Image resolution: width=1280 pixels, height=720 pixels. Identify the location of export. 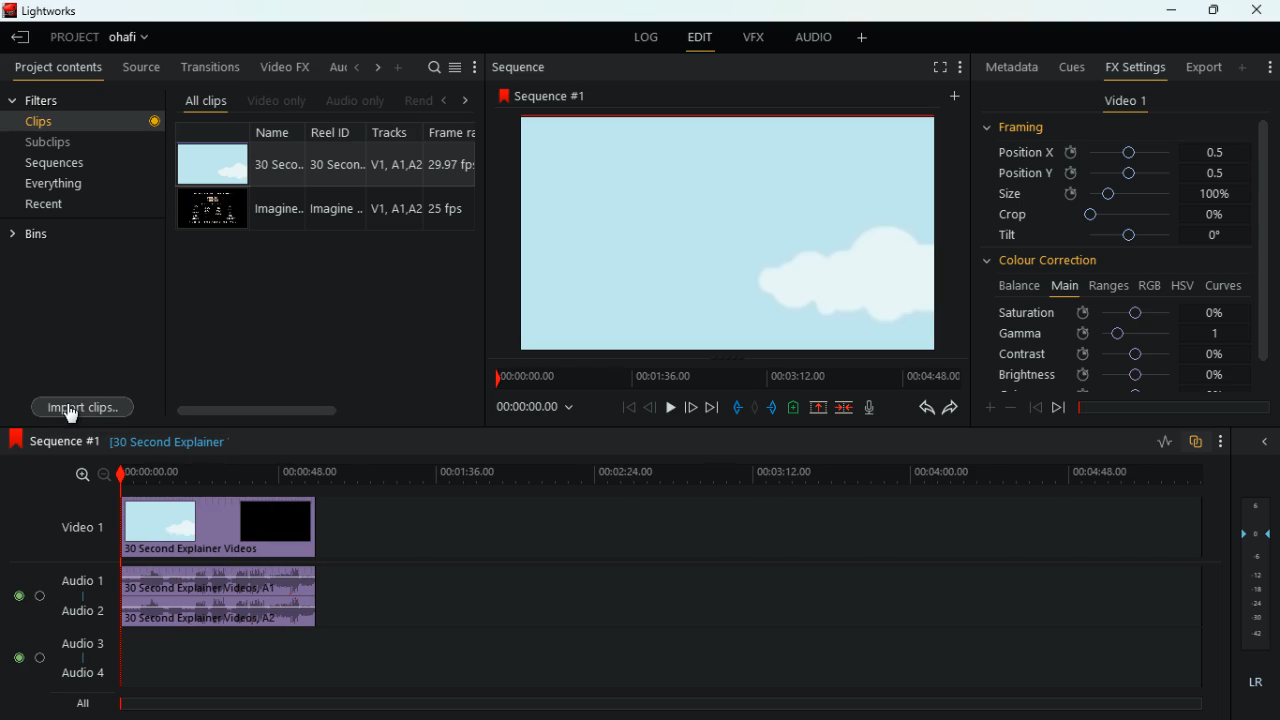
(1199, 67).